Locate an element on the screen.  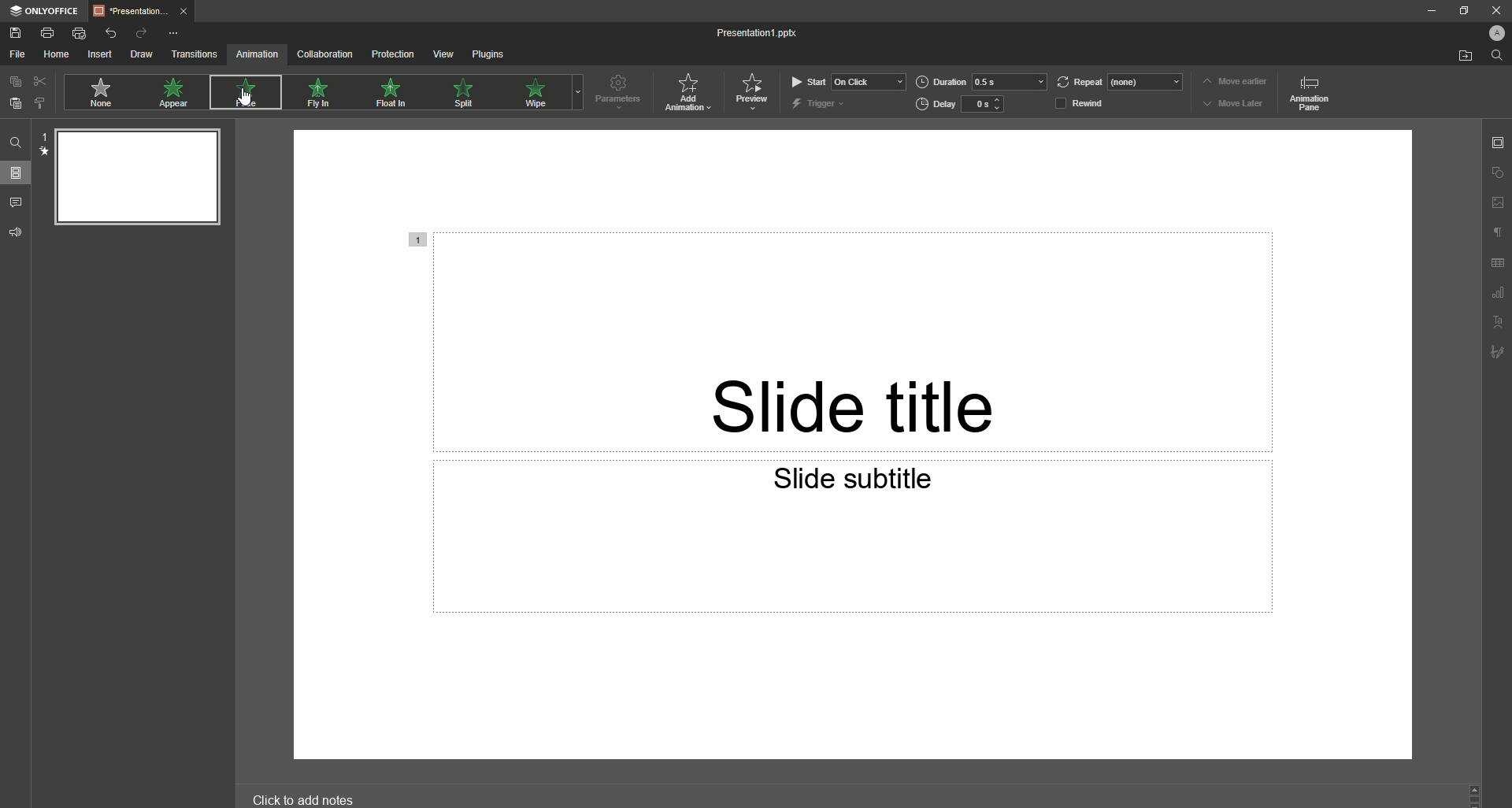
Comments is located at coordinates (17, 202).